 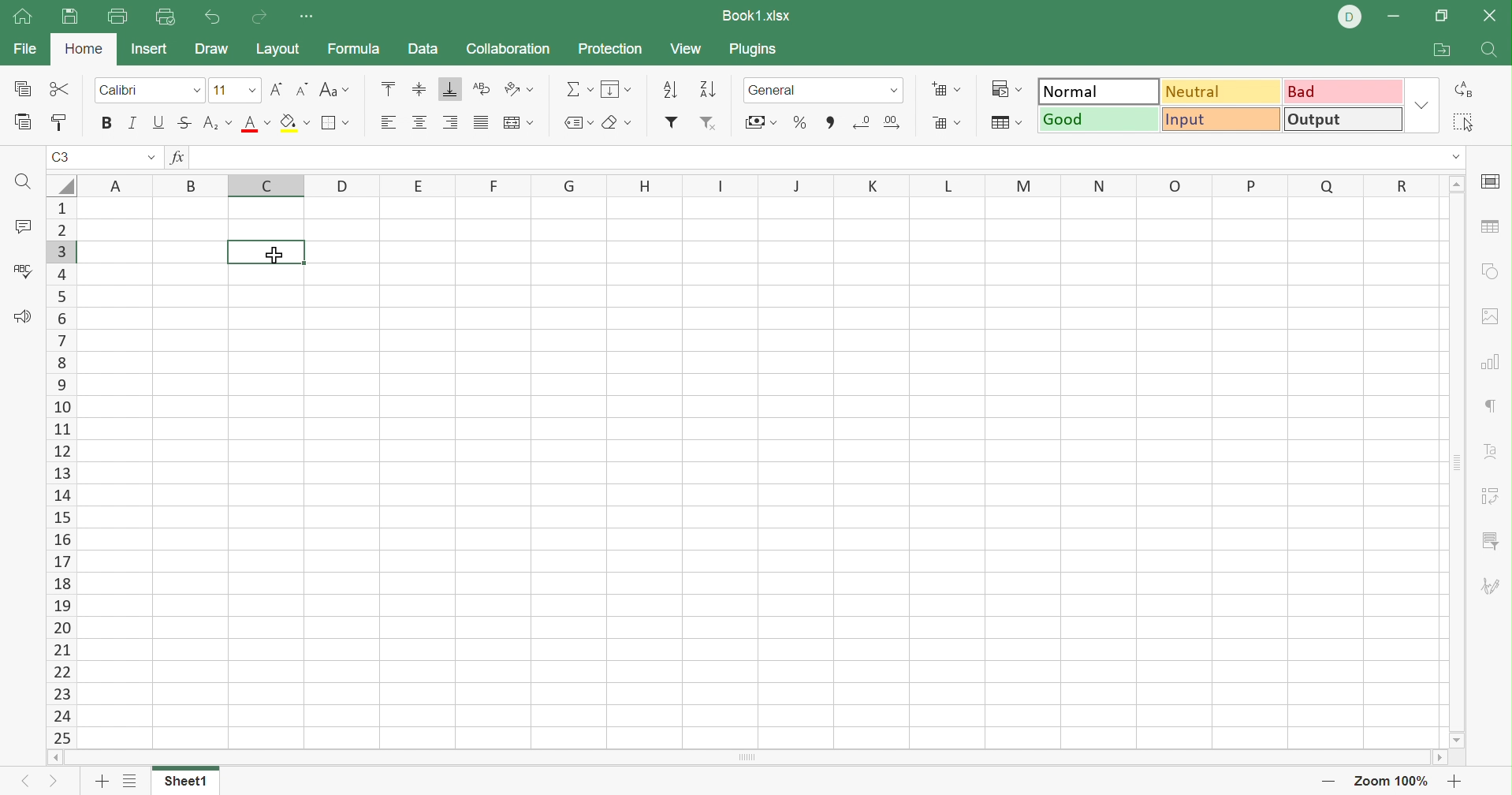 I want to click on Add sheet, so click(x=102, y=784).